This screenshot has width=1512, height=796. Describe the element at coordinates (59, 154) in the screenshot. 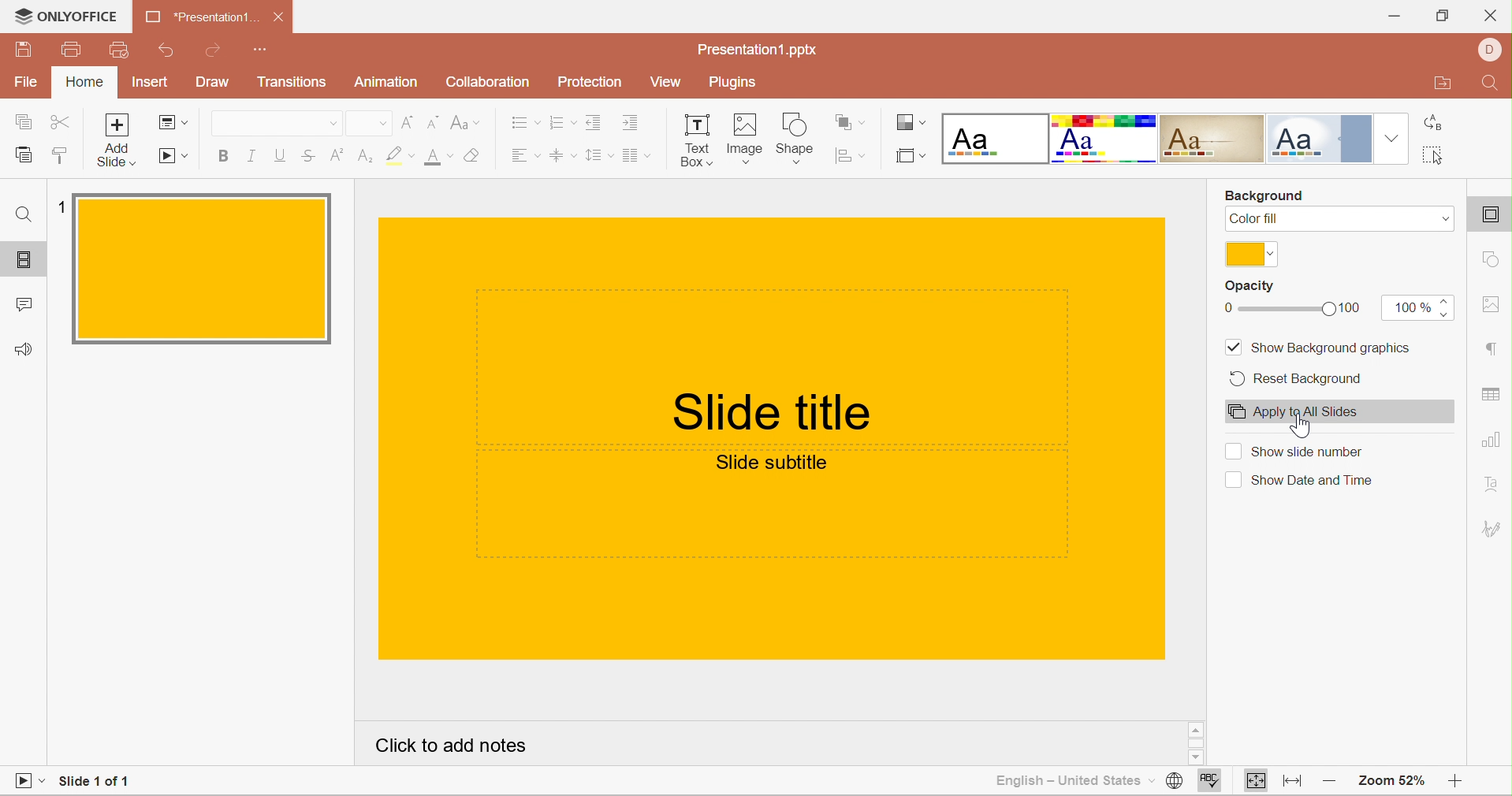

I see `Copy style` at that location.